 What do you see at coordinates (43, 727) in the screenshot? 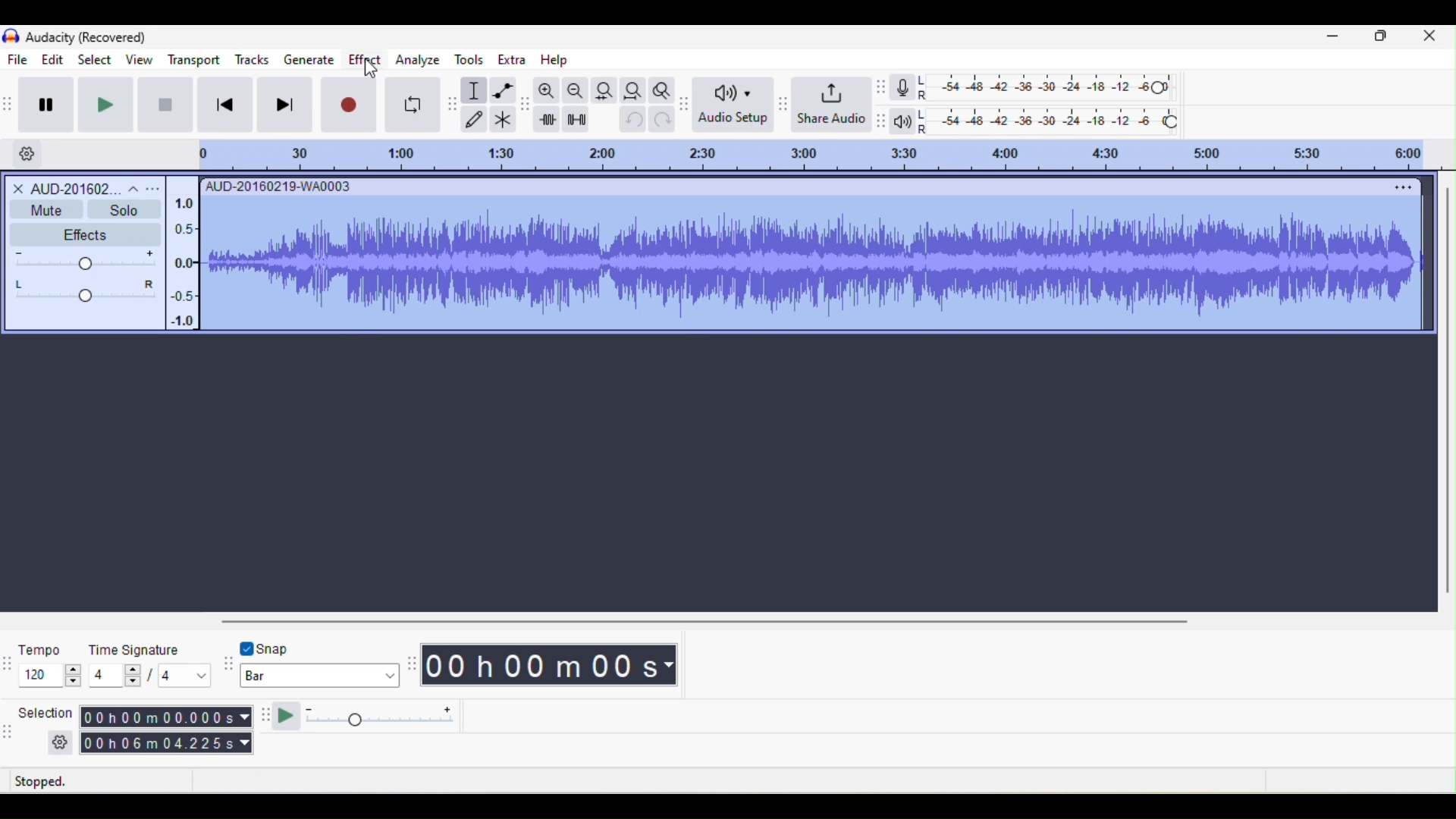
I see `selection` at bounding box center [43, 727].